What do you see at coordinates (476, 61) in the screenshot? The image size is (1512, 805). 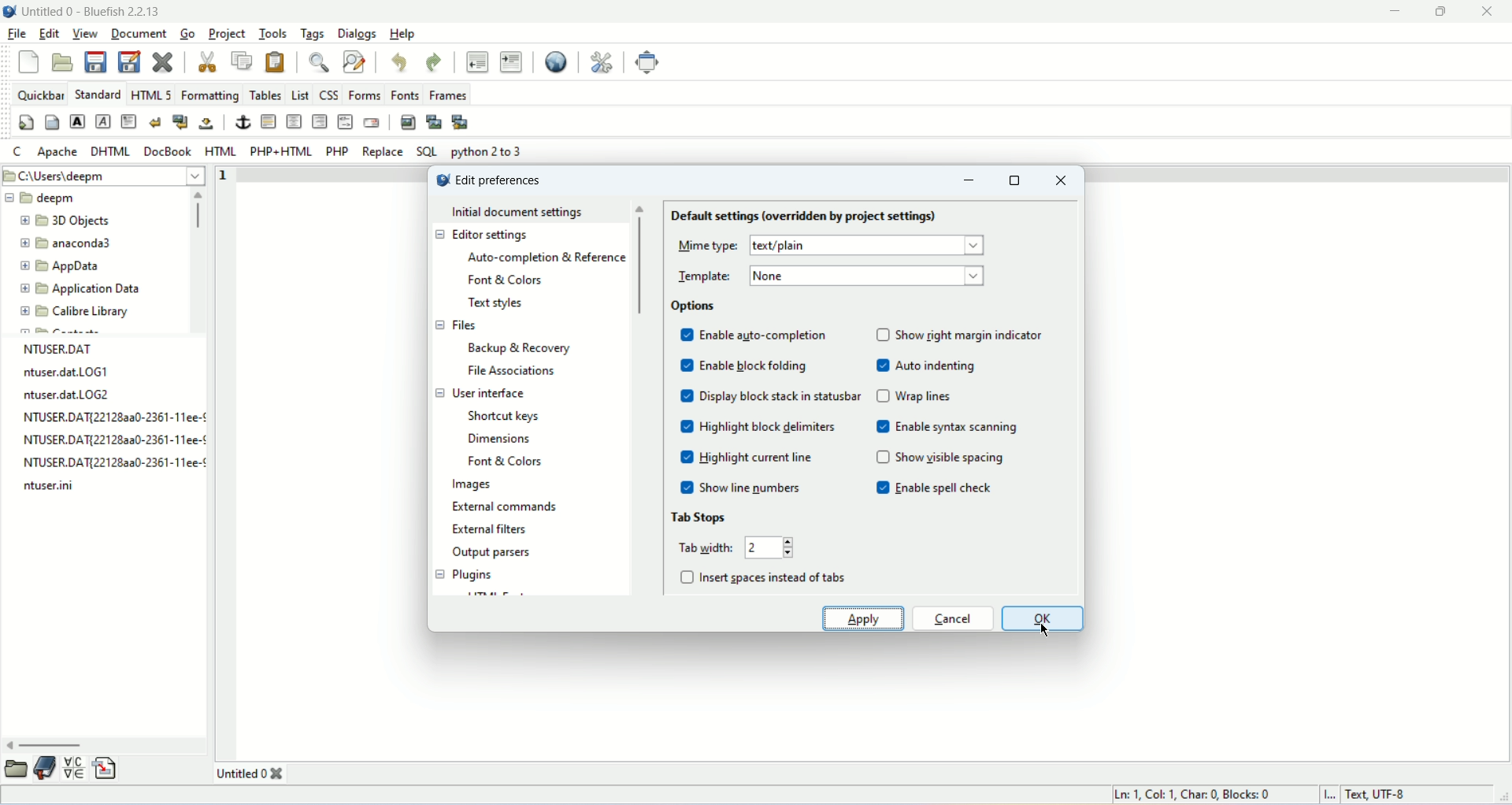 I see `unindent` at bounding box center [476, 61].